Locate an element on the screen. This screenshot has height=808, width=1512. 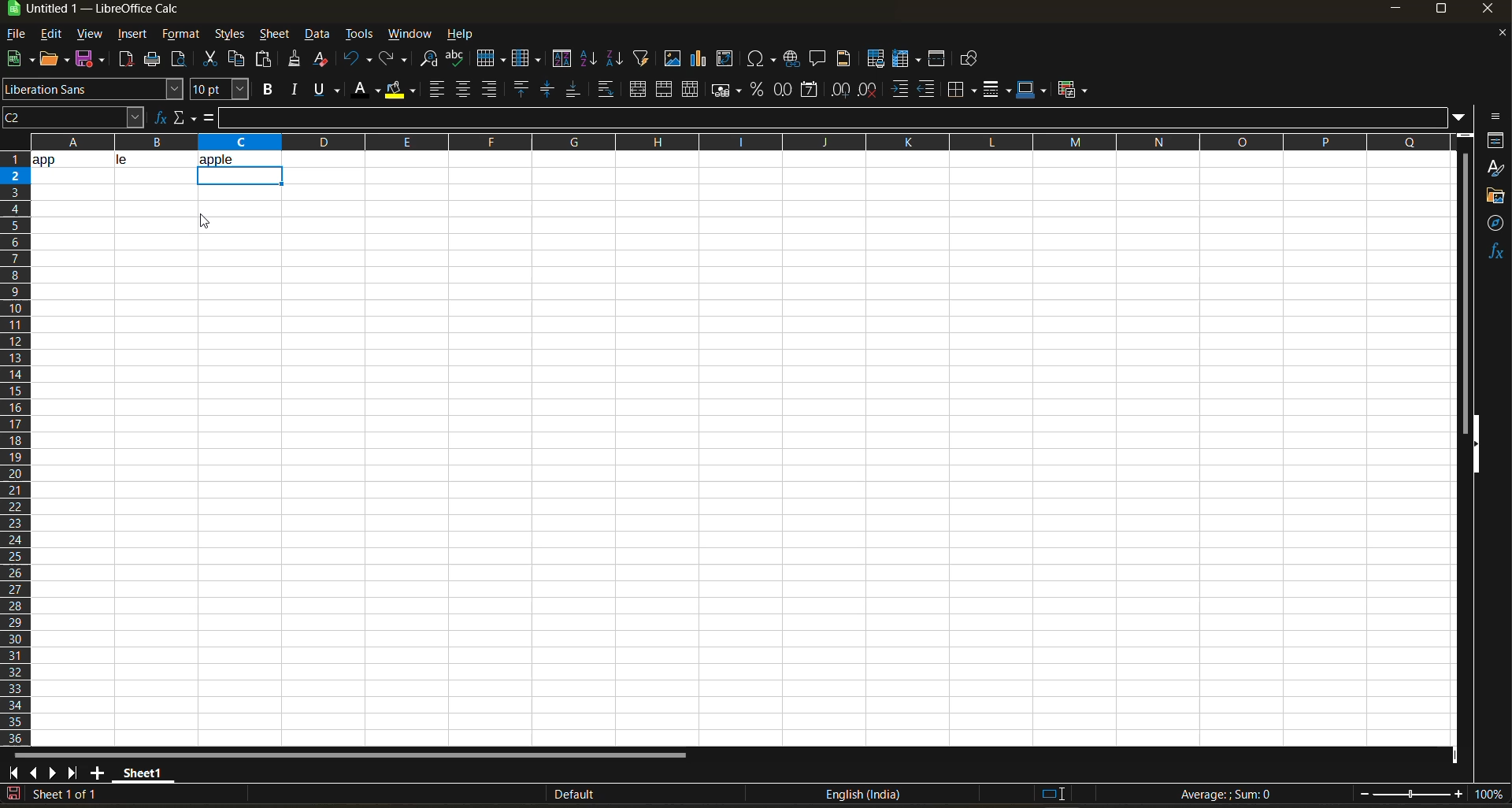
undo is located at coordinates (354, 59).